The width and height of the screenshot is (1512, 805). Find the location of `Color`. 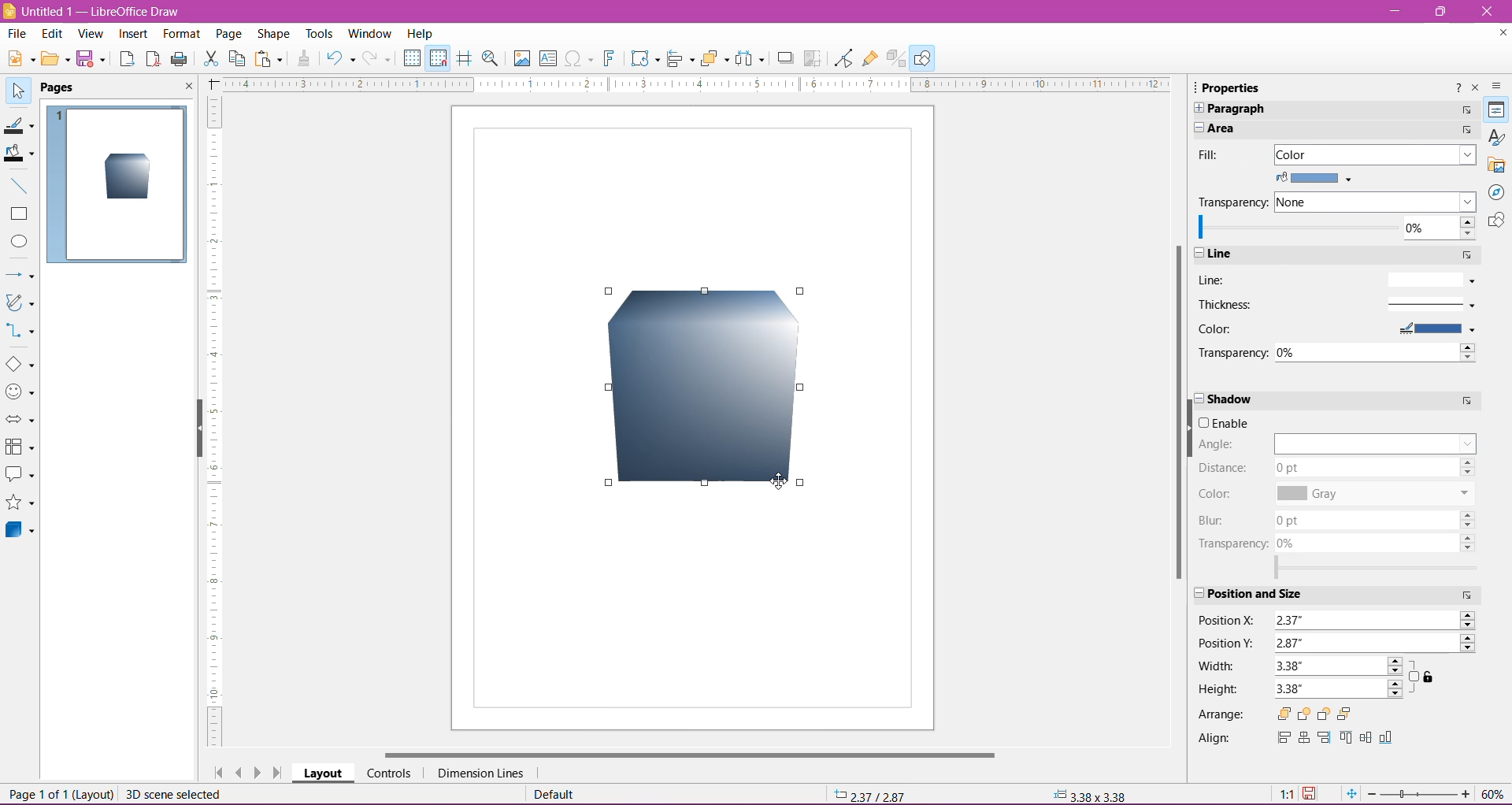

Color is located at coordinates (1218, 493).